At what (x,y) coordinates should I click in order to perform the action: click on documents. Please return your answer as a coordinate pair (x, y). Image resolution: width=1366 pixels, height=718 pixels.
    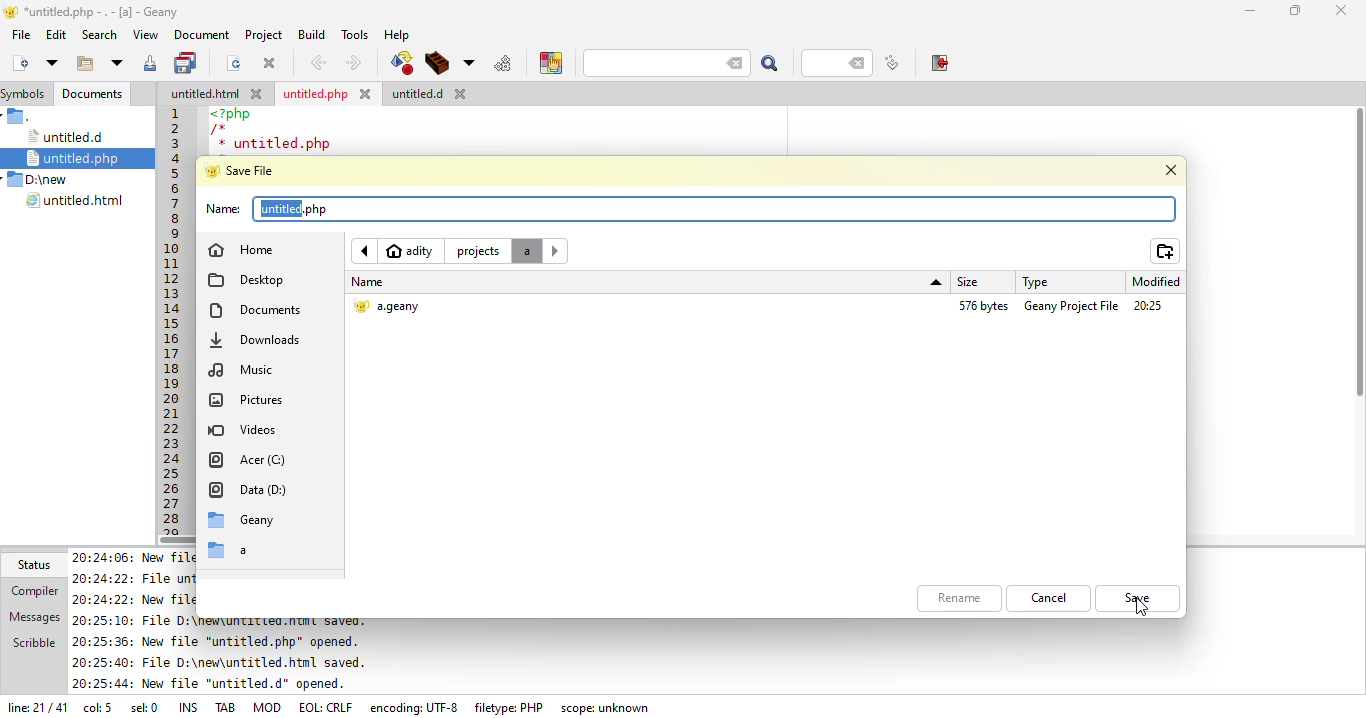
    Looking at the image, I should click on (256, 308).